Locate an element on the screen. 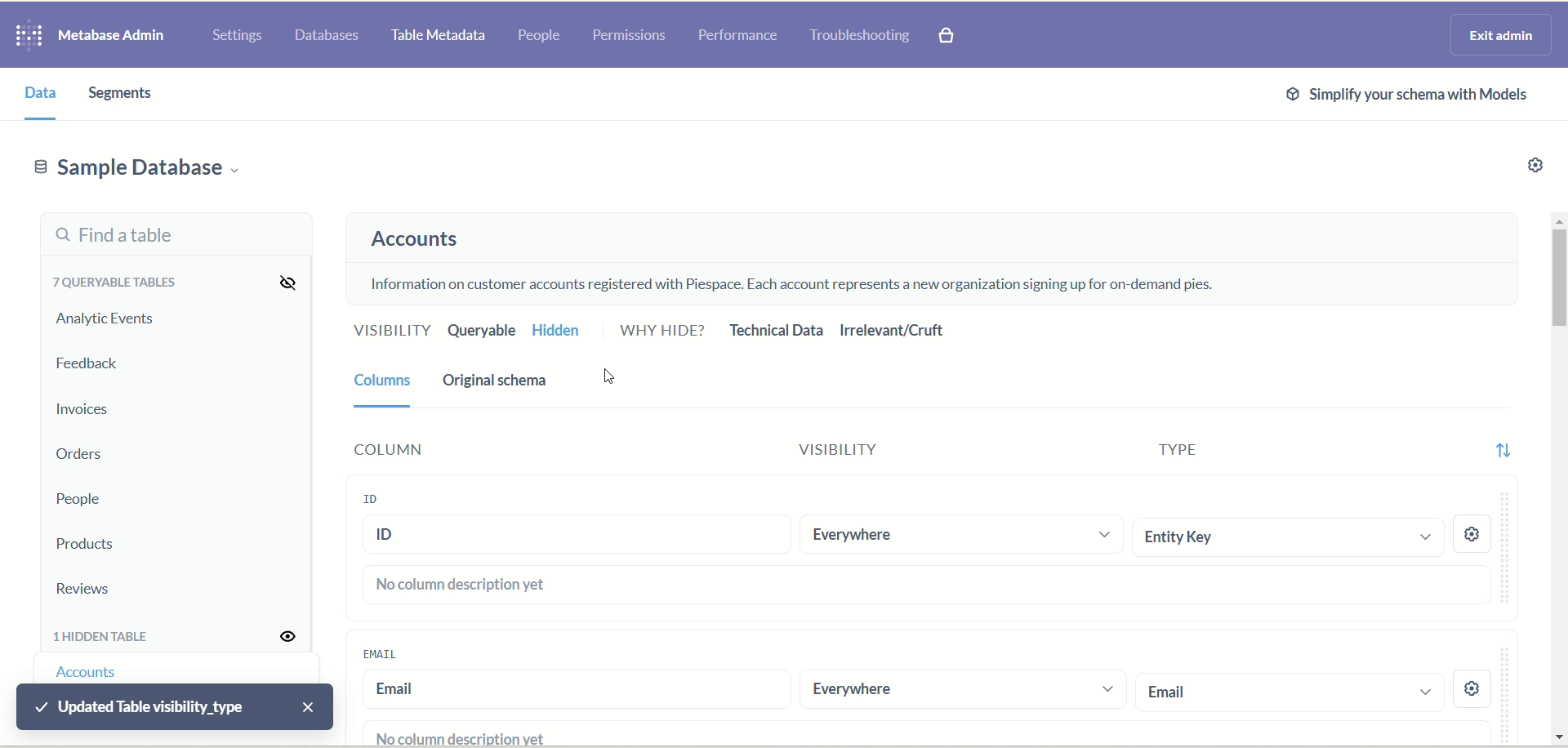  hidden is located at coordinates (568, 330).